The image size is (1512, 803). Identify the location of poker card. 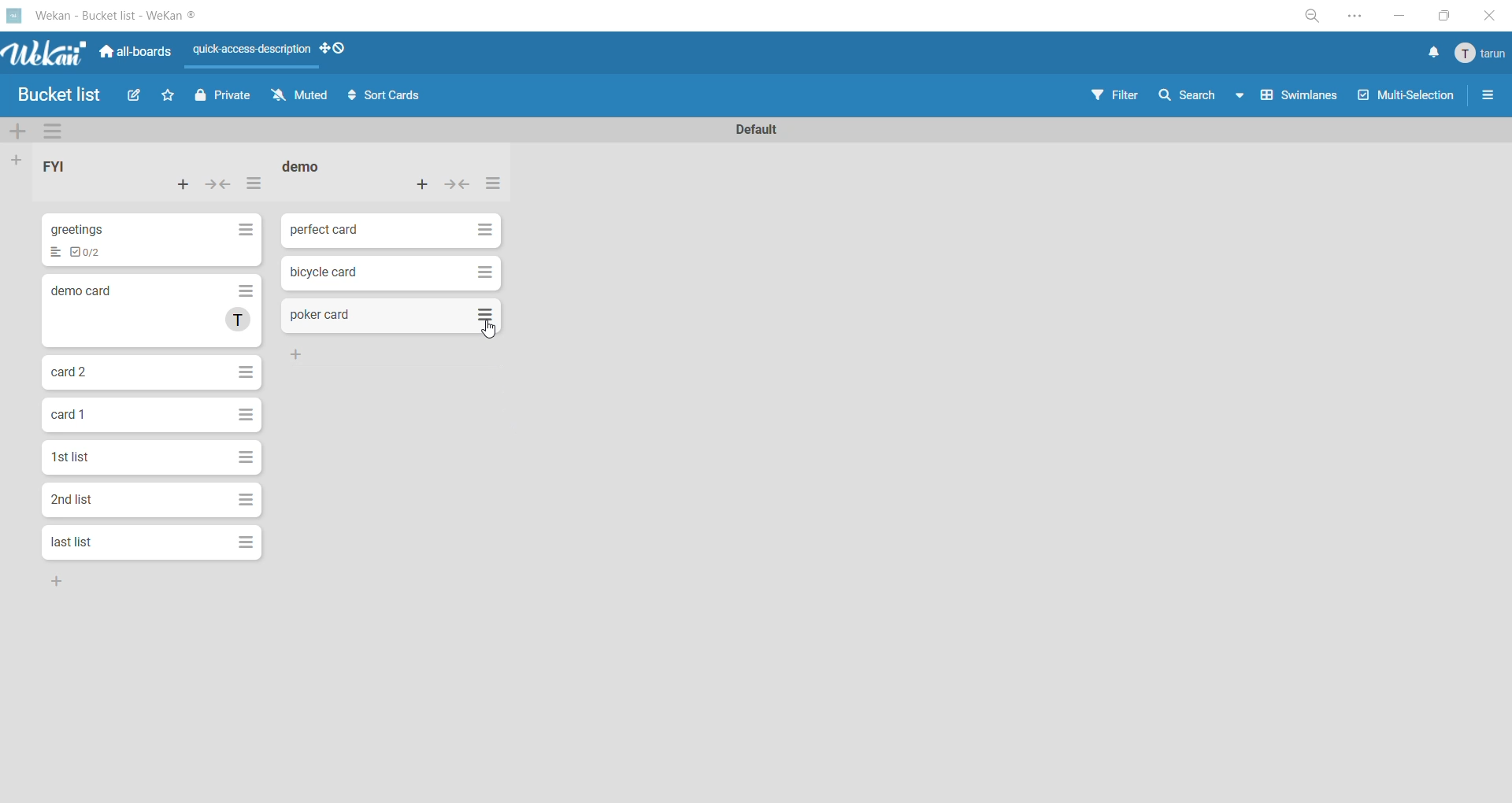
(321, 316).